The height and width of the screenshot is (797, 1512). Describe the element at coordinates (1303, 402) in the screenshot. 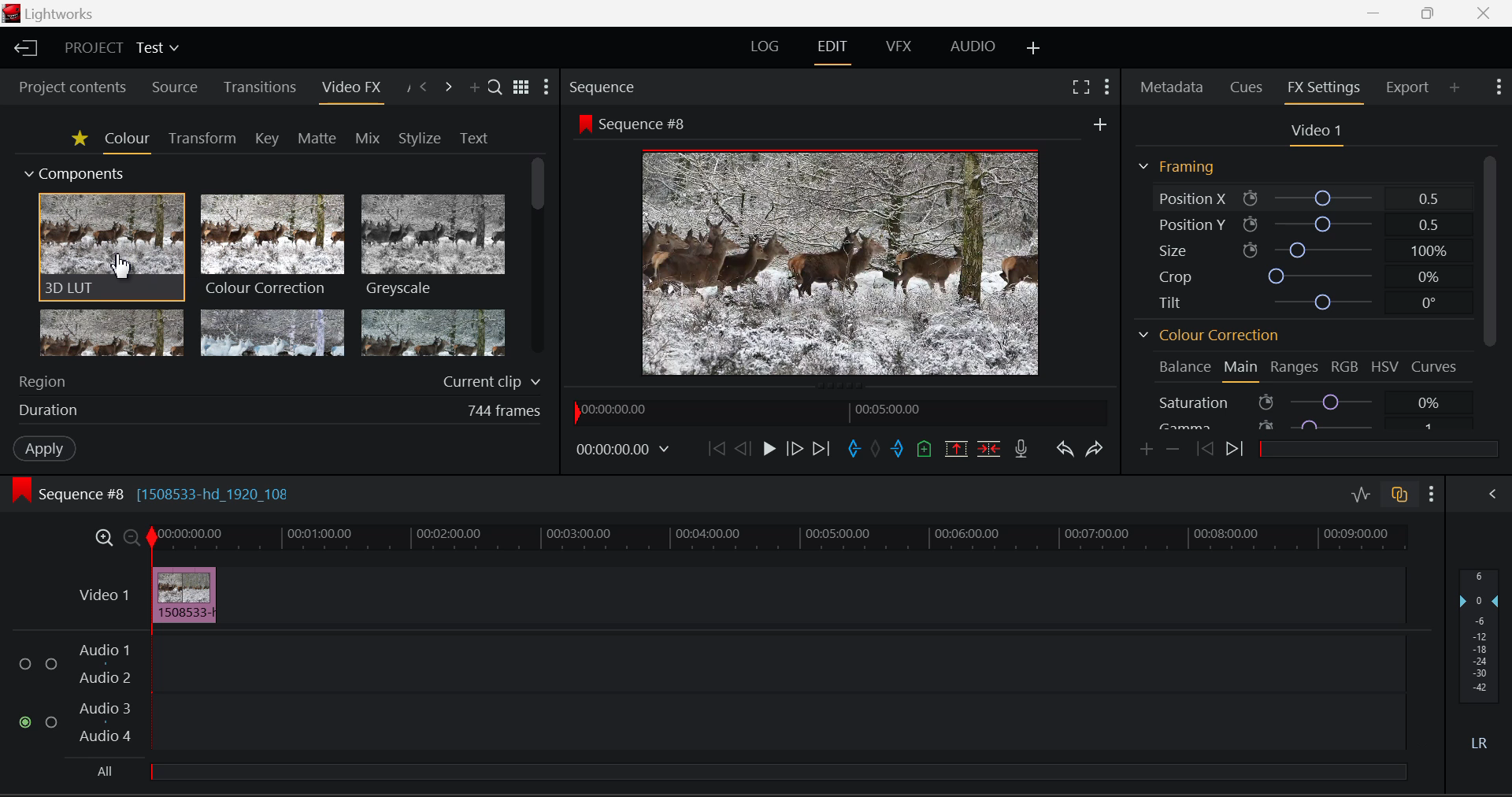

I see `Saturation` at that location.